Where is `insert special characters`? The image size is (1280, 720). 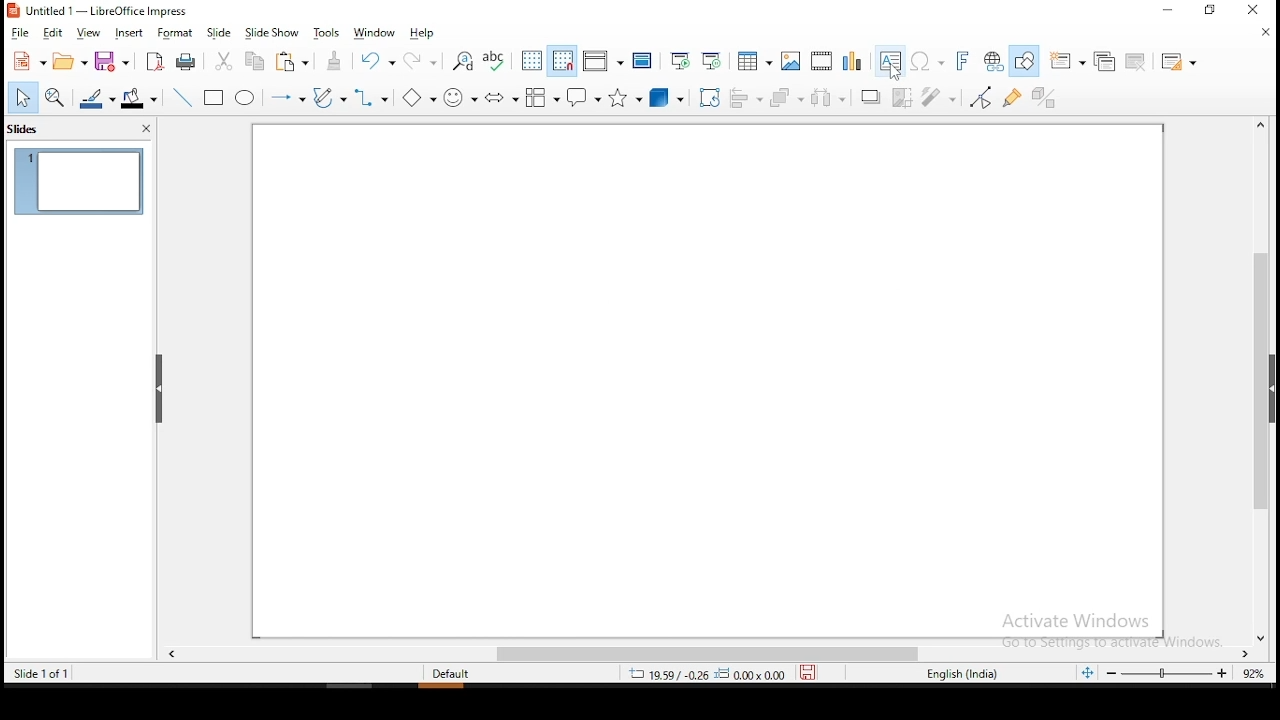
insert special characters is located at coordinates (930, 60).